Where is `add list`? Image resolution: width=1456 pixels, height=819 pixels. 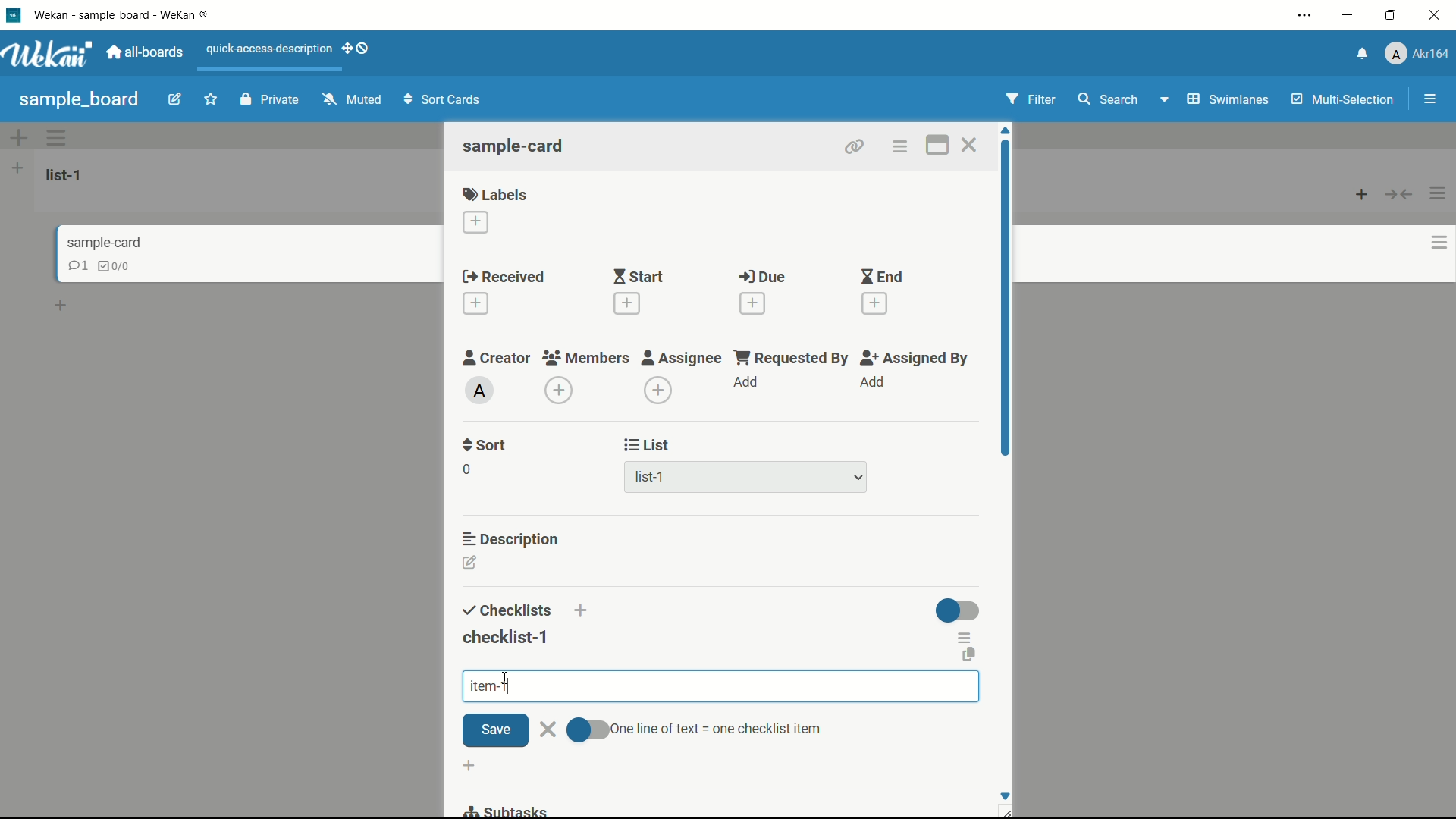
add list is located at coordinates (18, 170).